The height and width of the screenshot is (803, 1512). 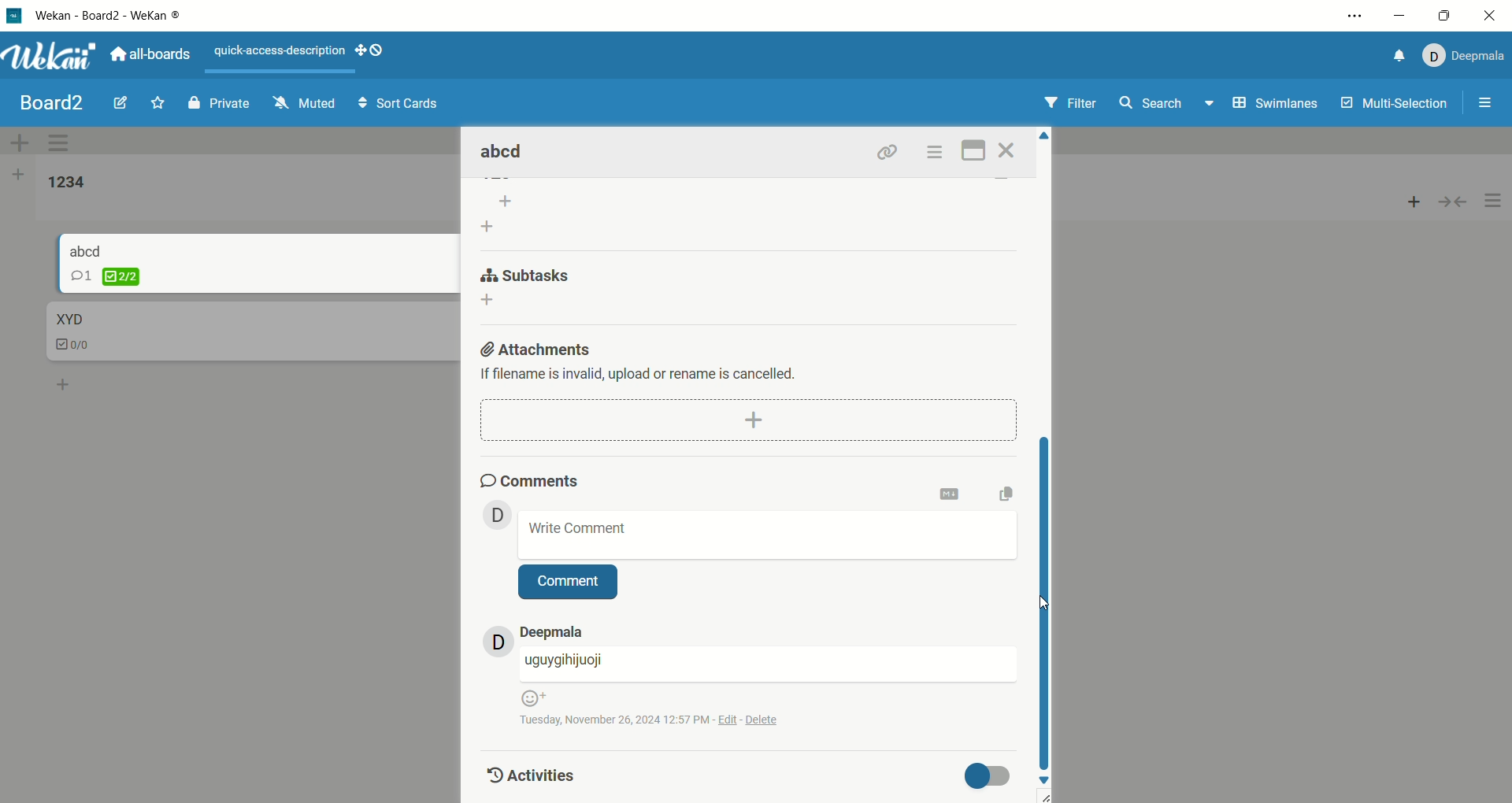 What do you see at coordinates (493, 302) in the screenshot?
I see `add` at bounding box center [493, 302].